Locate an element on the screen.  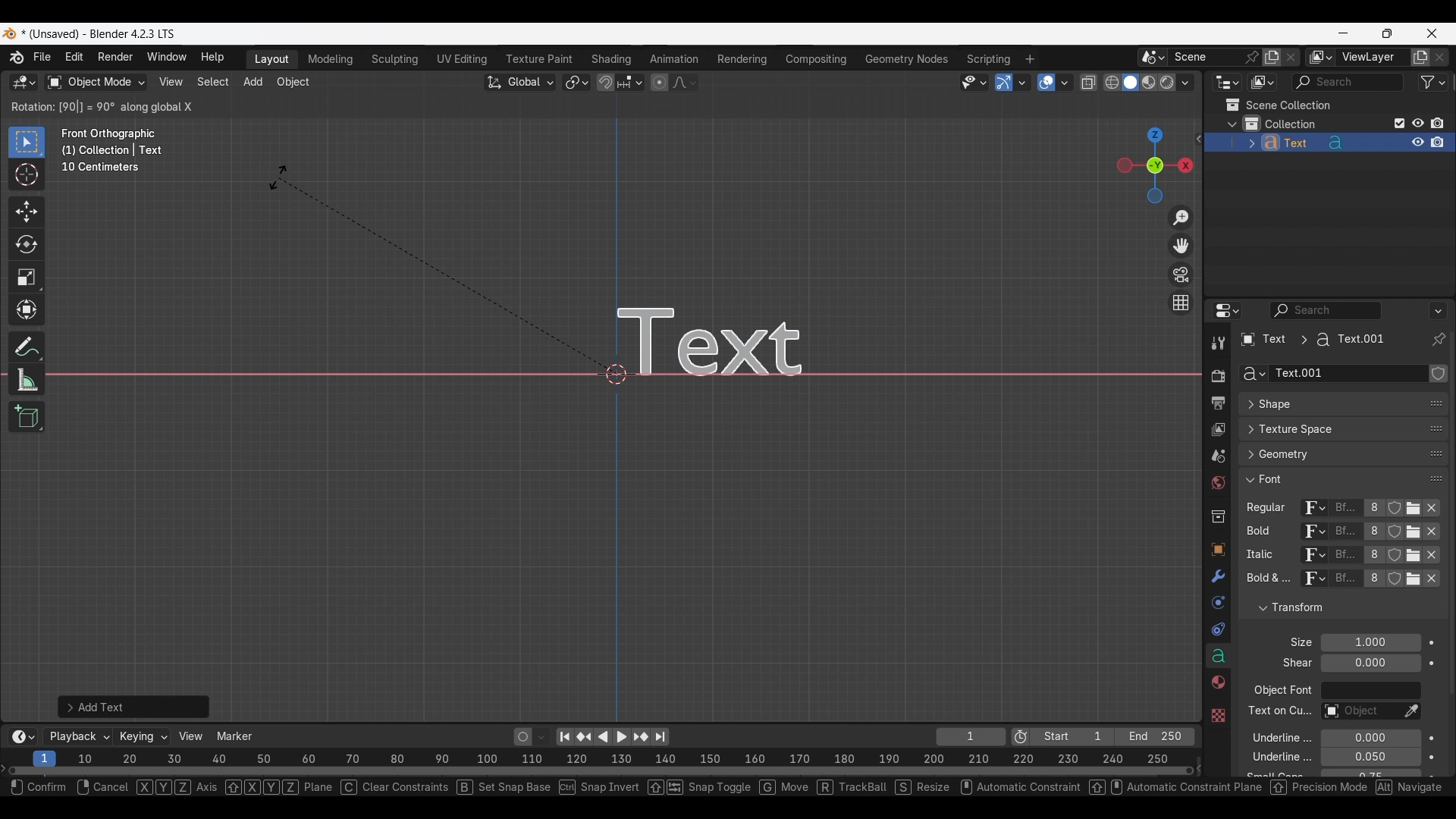
Proportional editing falloff is located at coordinates (685, 82).